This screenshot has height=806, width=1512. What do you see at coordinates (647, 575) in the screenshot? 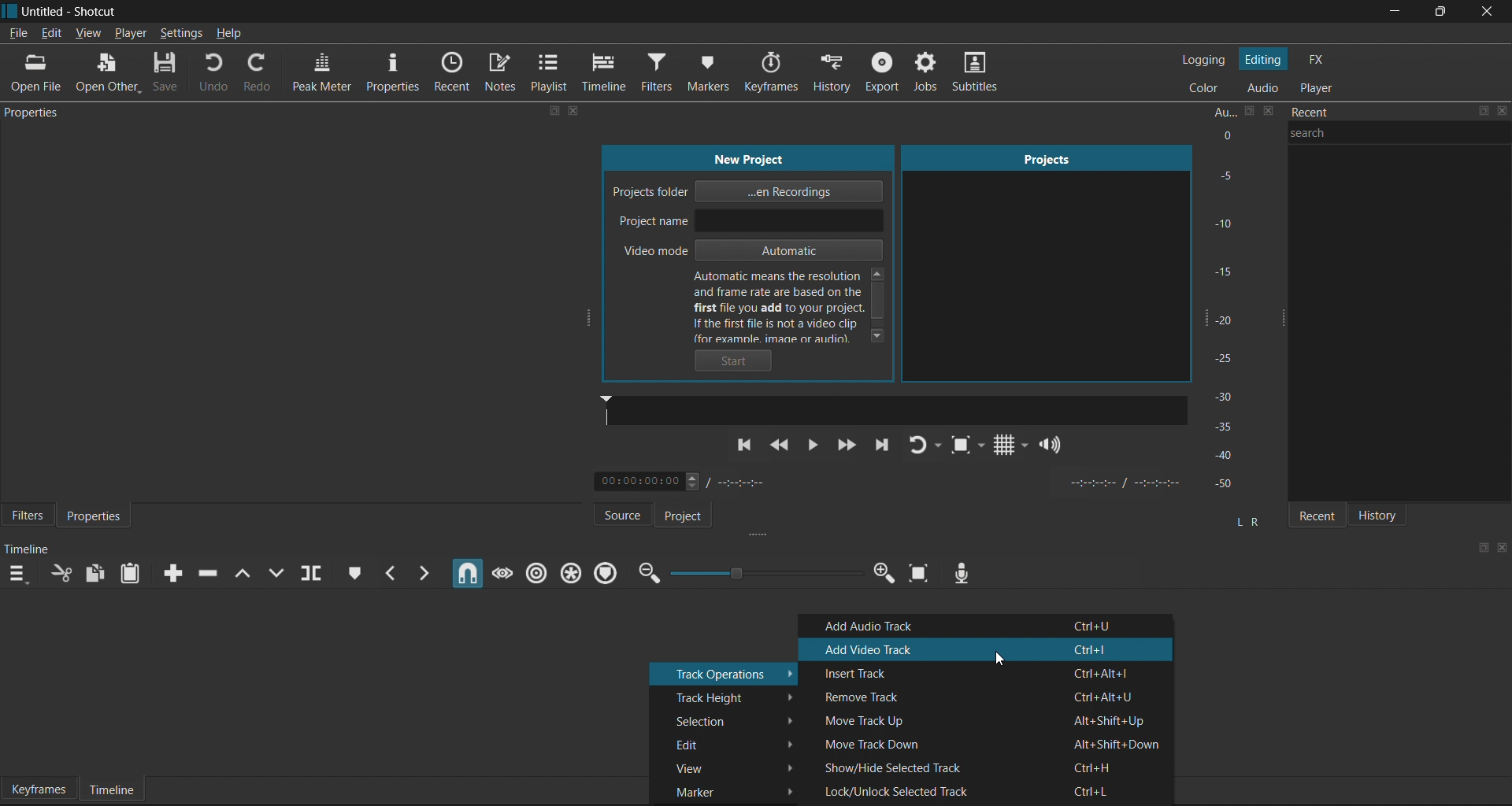
I see `Zoom Out` at bounding box center [647, 575].